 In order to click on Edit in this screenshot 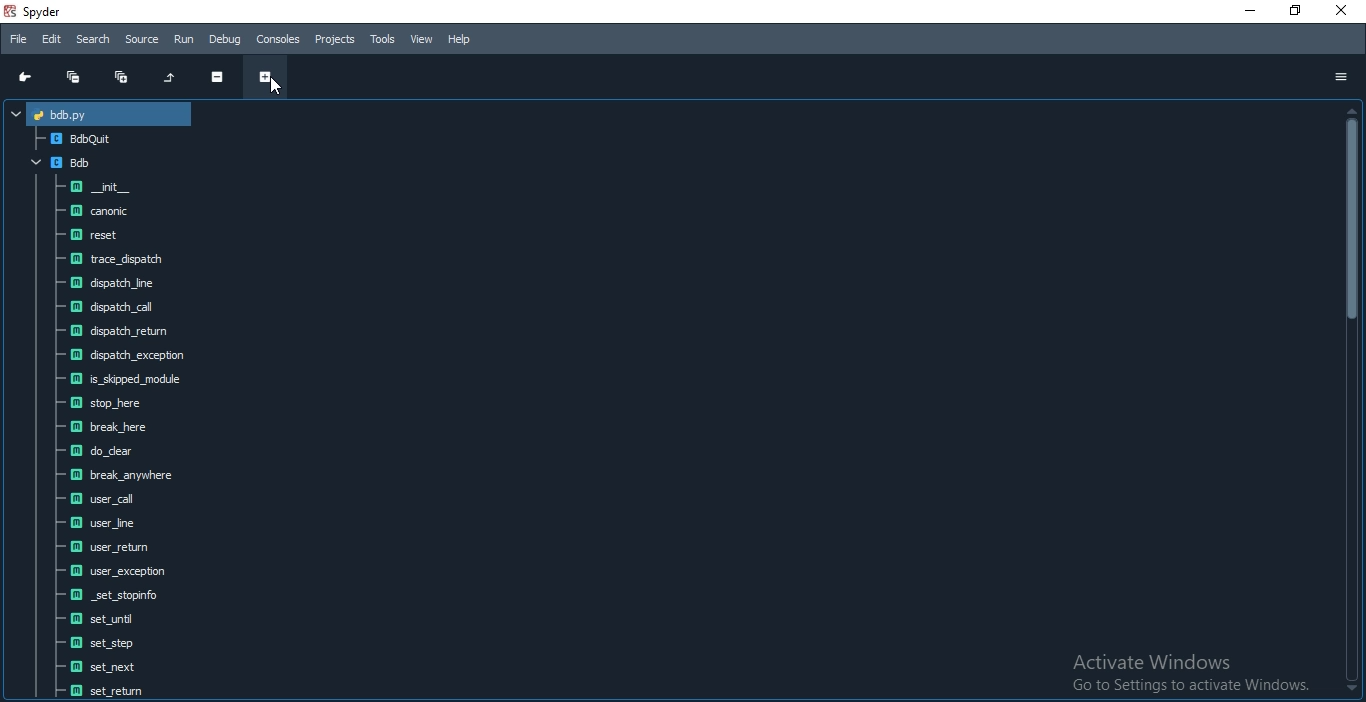, I will do `click(51, 39)`.